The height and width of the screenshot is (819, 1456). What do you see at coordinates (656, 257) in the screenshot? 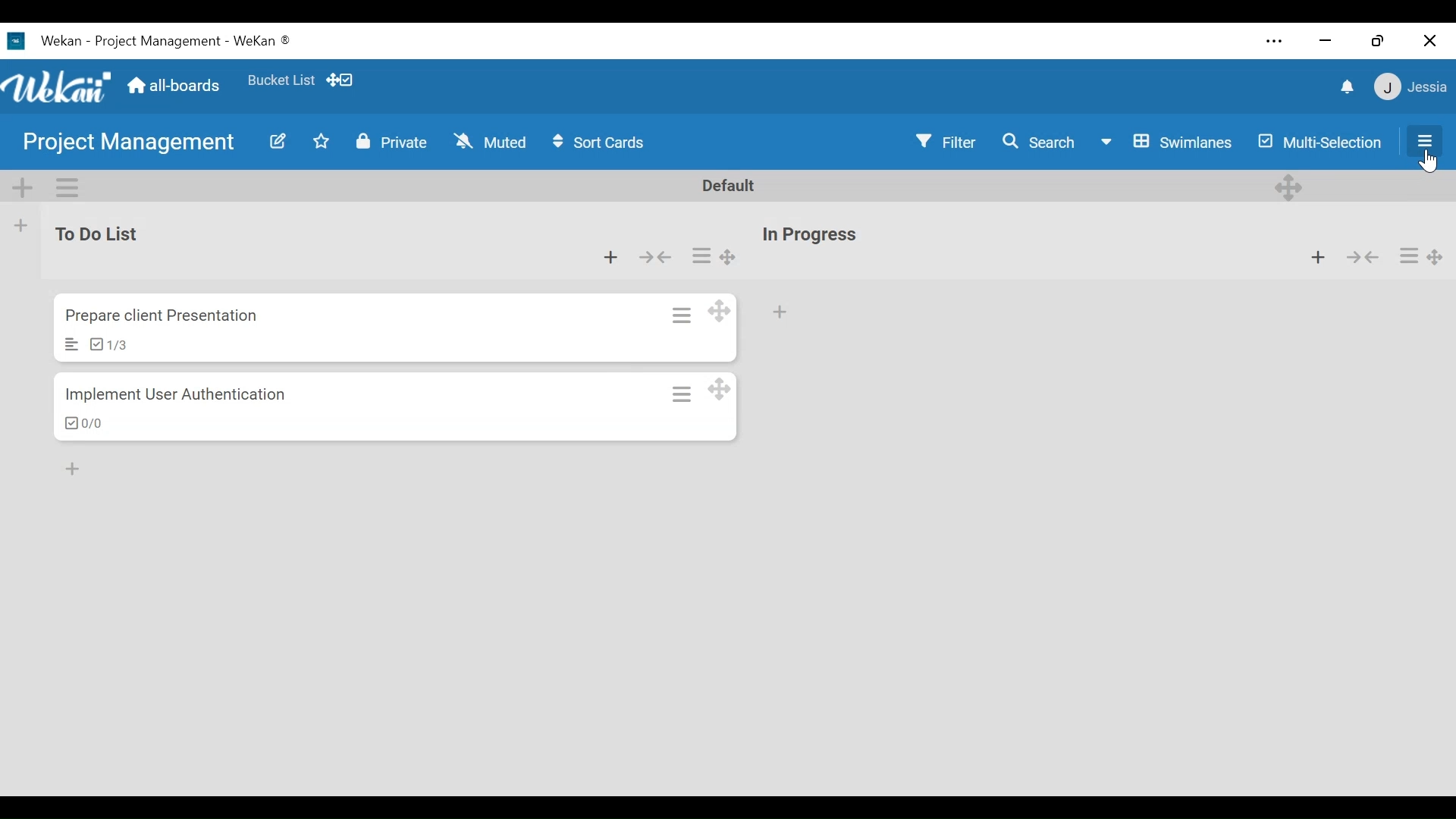
I see `Collapse` at bounding box center [656, 257].